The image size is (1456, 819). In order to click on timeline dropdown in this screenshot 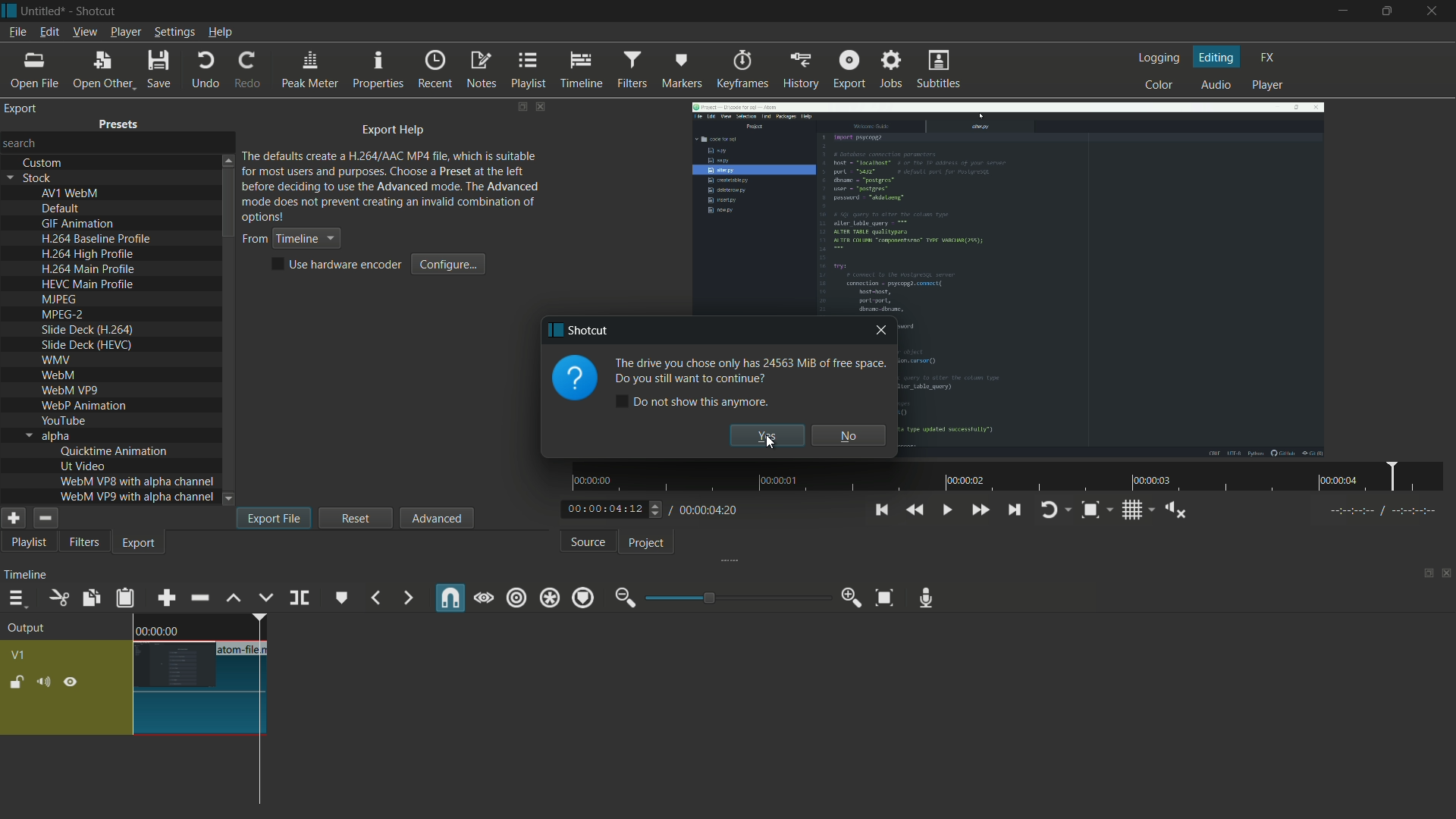, I will do `click(290, 239)`.